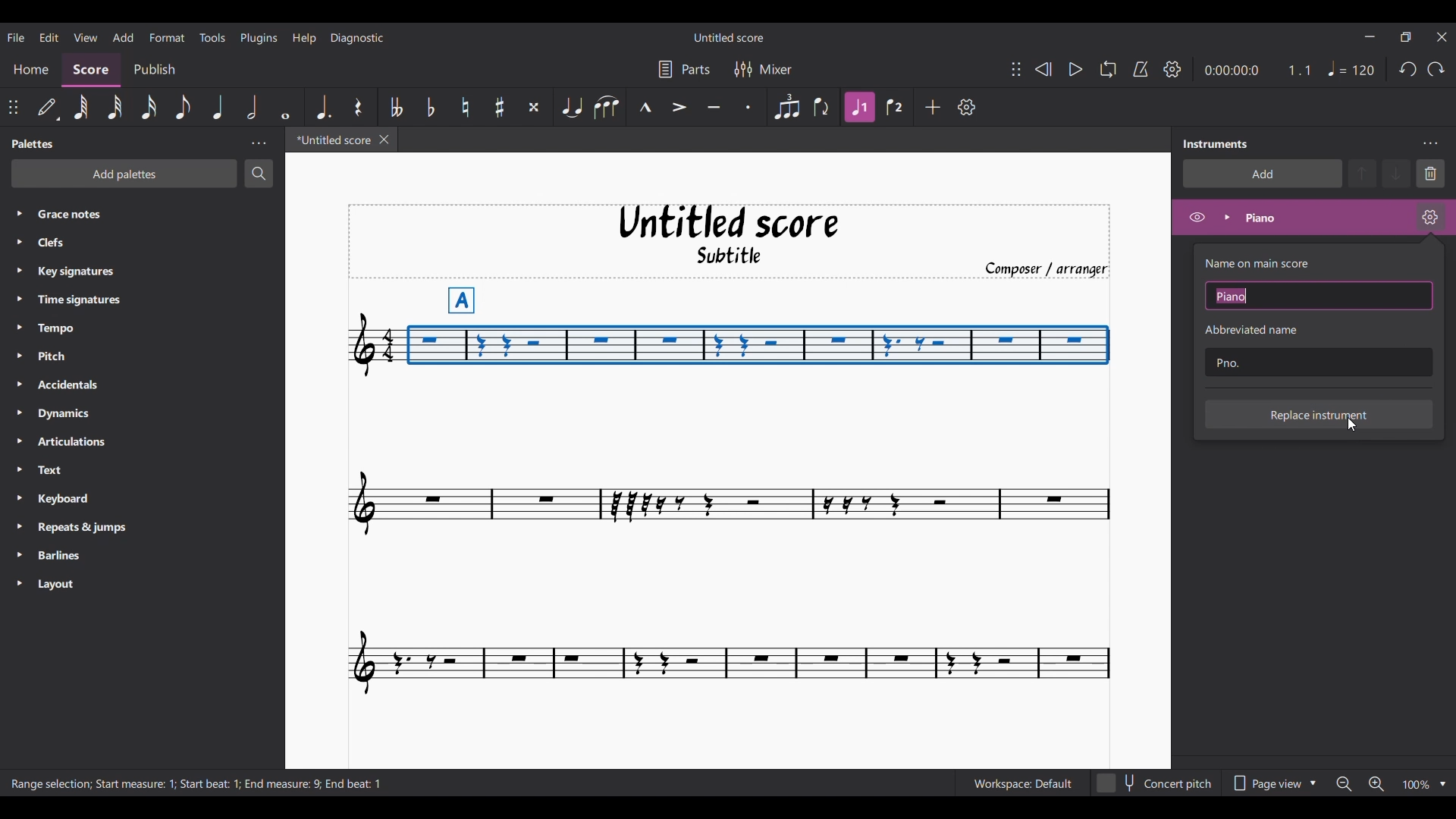 The height and width of the screenshot is (819, 1456). What do you see at coordinates (93, 299) in the screenshot?
I see `Time signatures` at bounding box center [93, 299].